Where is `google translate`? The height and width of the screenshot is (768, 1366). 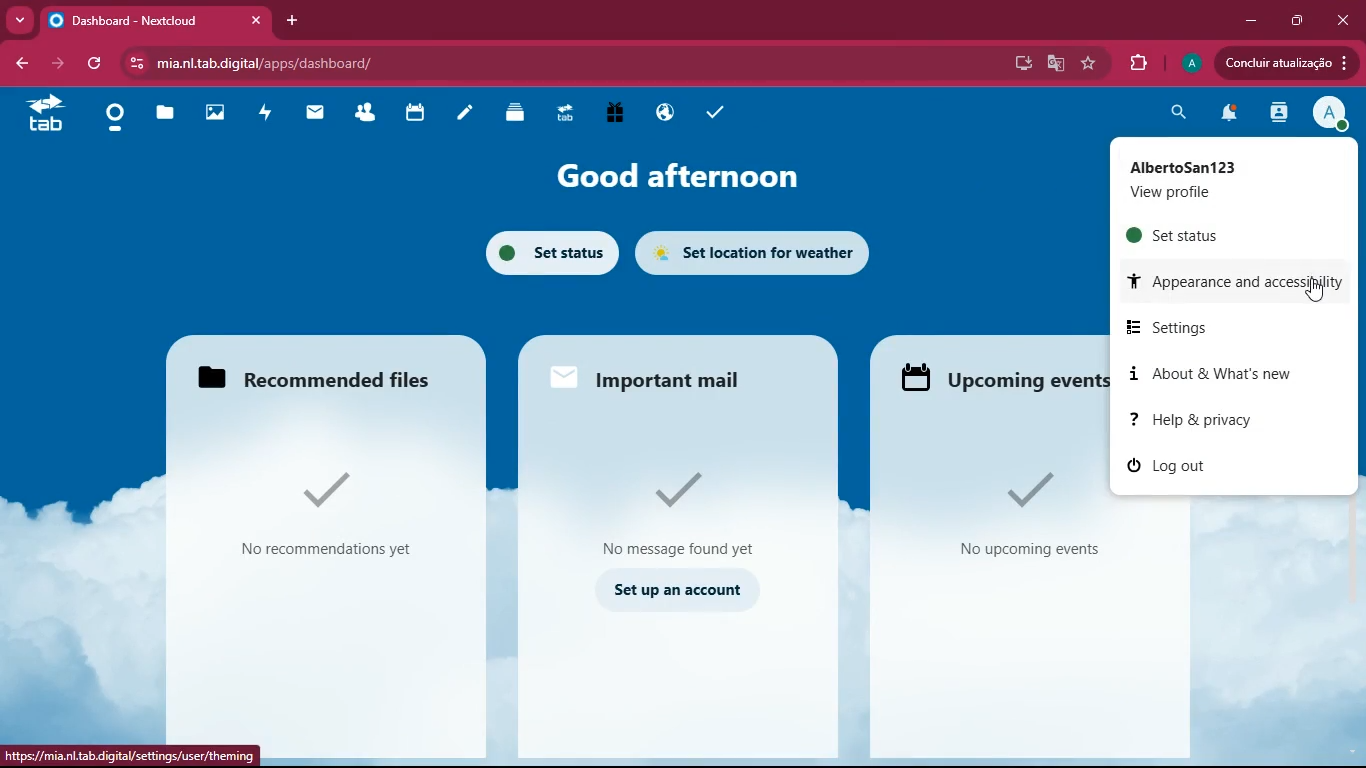
google translate is located at coordinates (1055, 63).